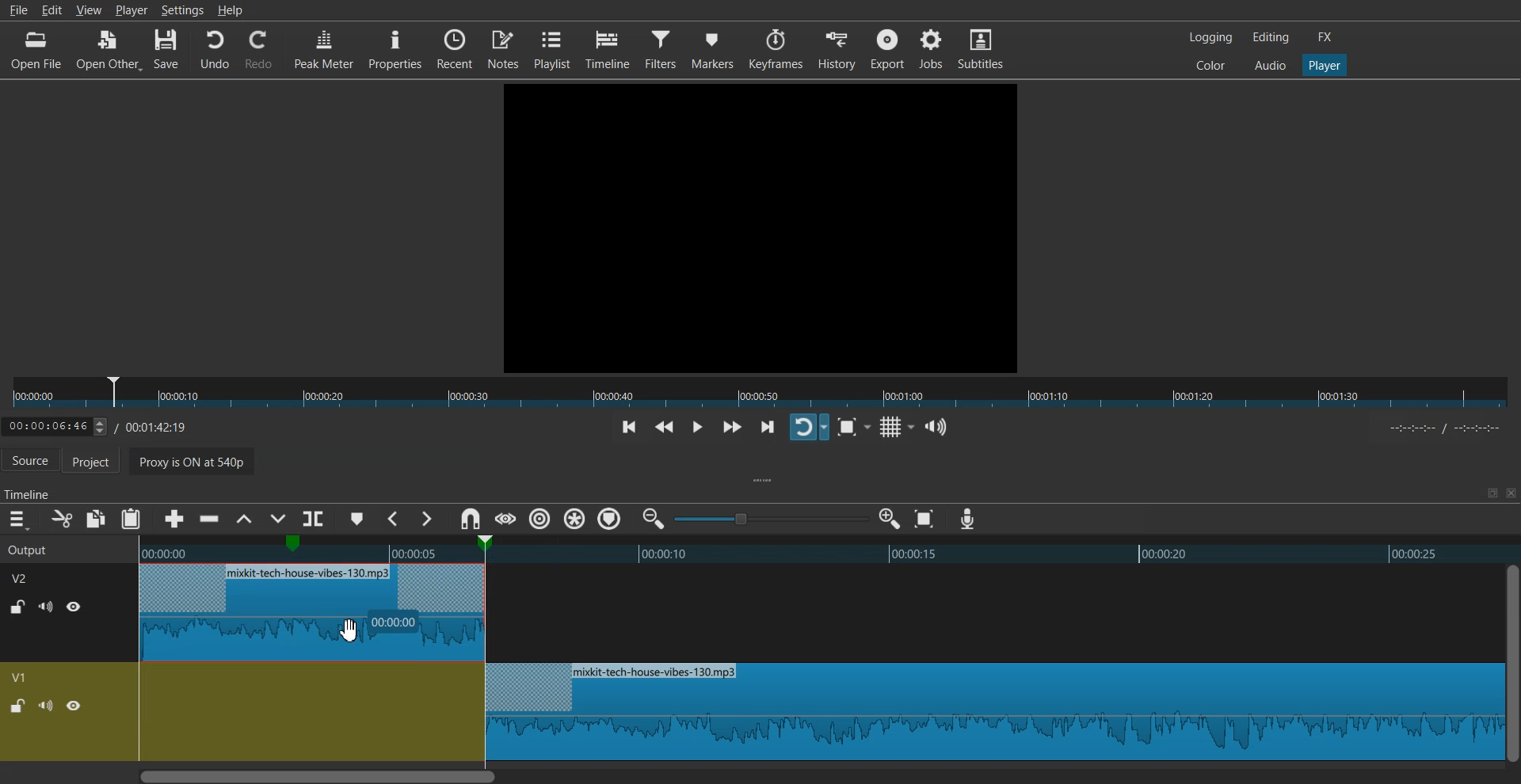 The image size is (1521, 784). Describe the element at coordinates (887, 48) in the screenshot. I see `Export` at that location.